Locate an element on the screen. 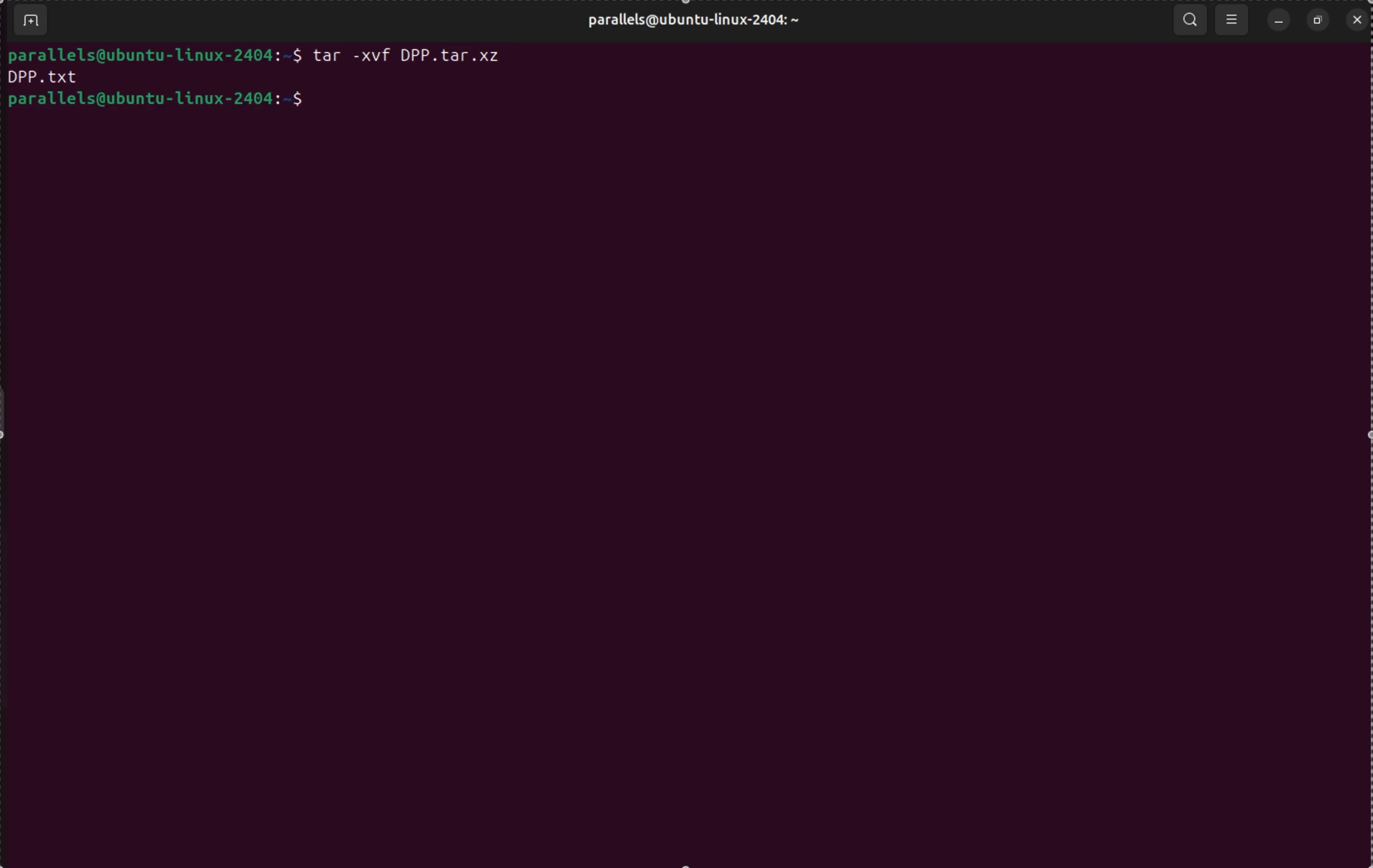  prompt bar is located at coordinates (156, 52).